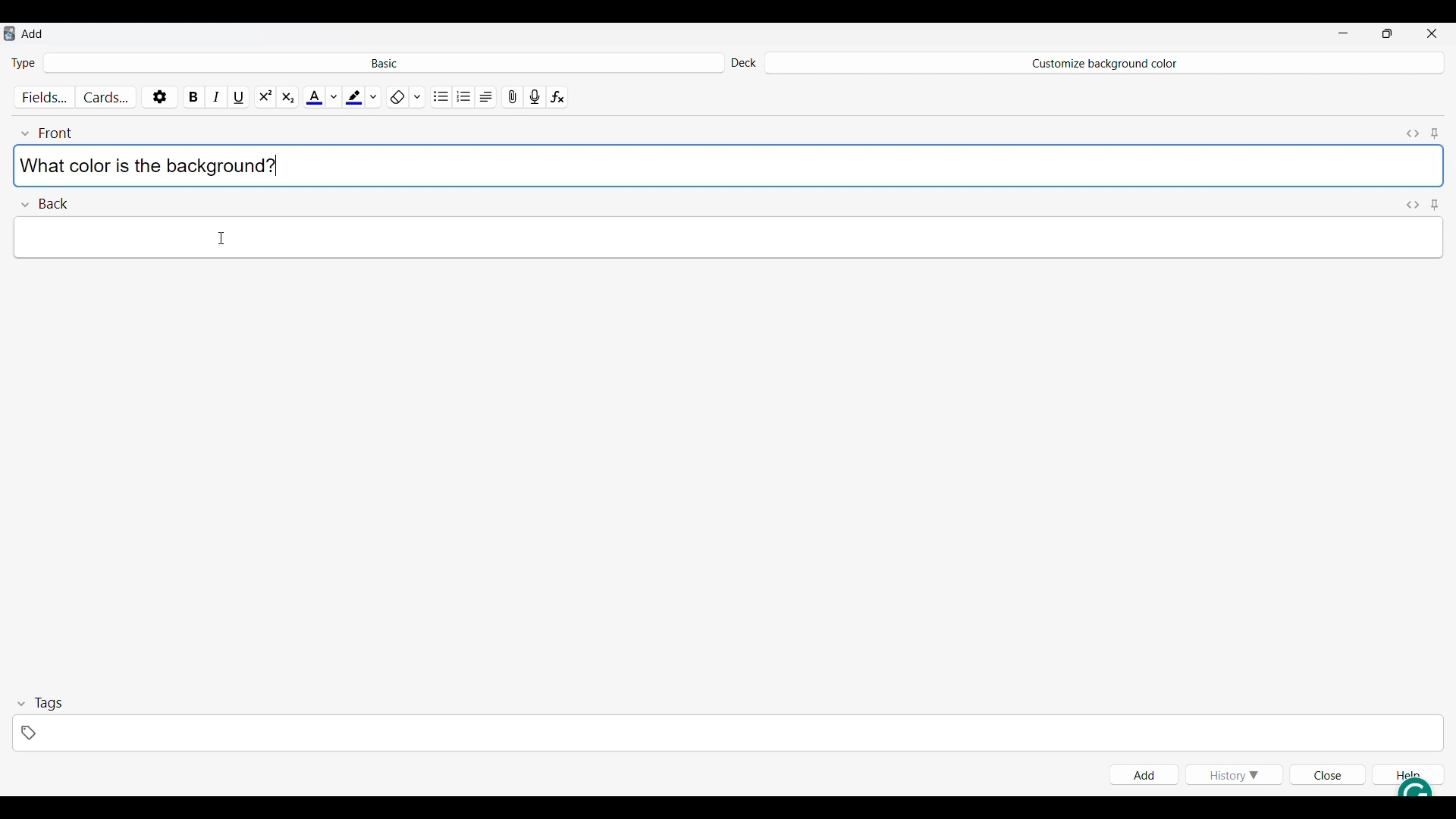  What do you see at coordinates (353, 94) in the screenshot?
I see `Selected highlight color` at bounding box center [353, 94].